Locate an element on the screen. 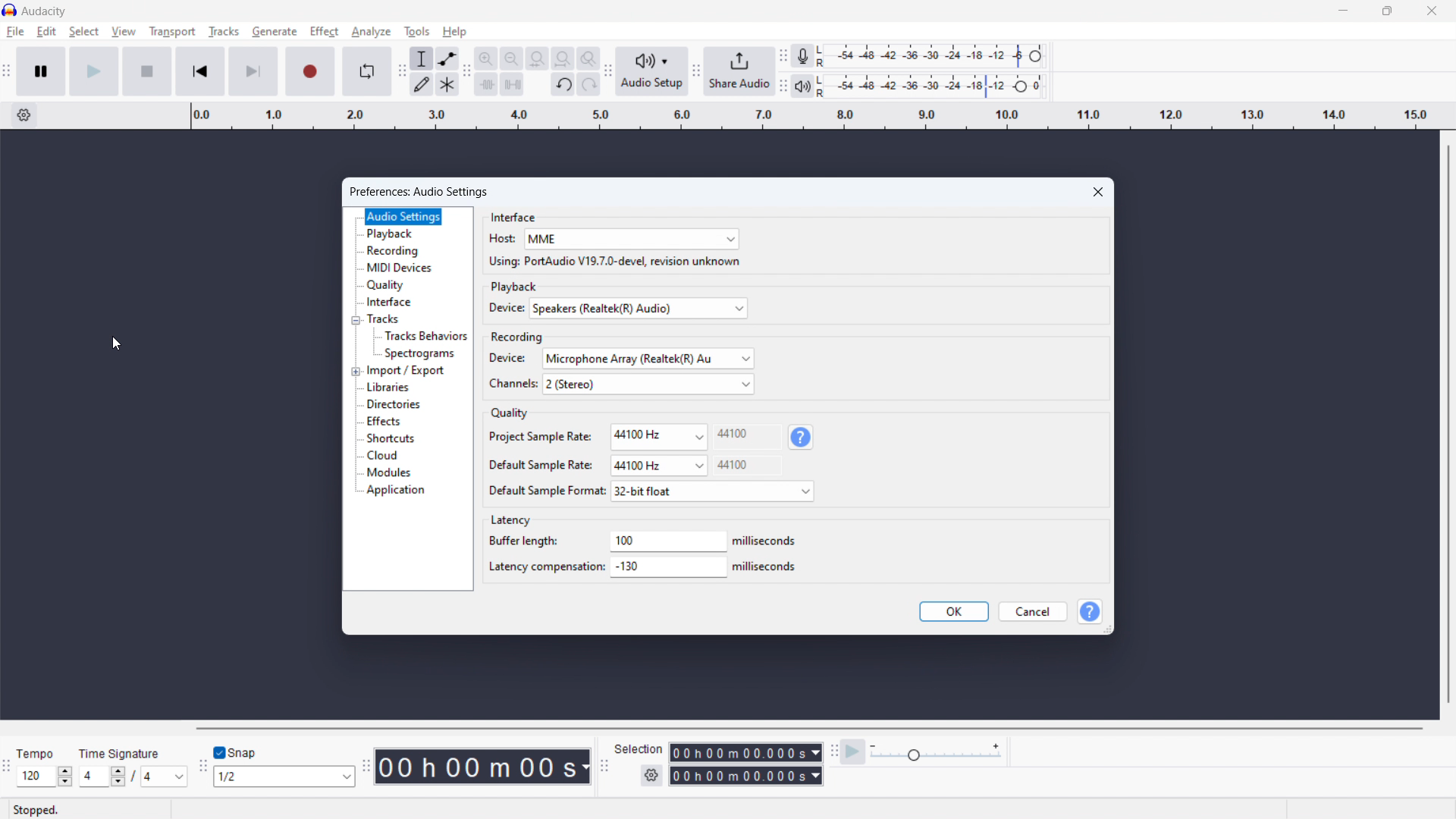 The width and height of the screenshot is (1456, 819). selection settings is located at coordinates (651, 776).